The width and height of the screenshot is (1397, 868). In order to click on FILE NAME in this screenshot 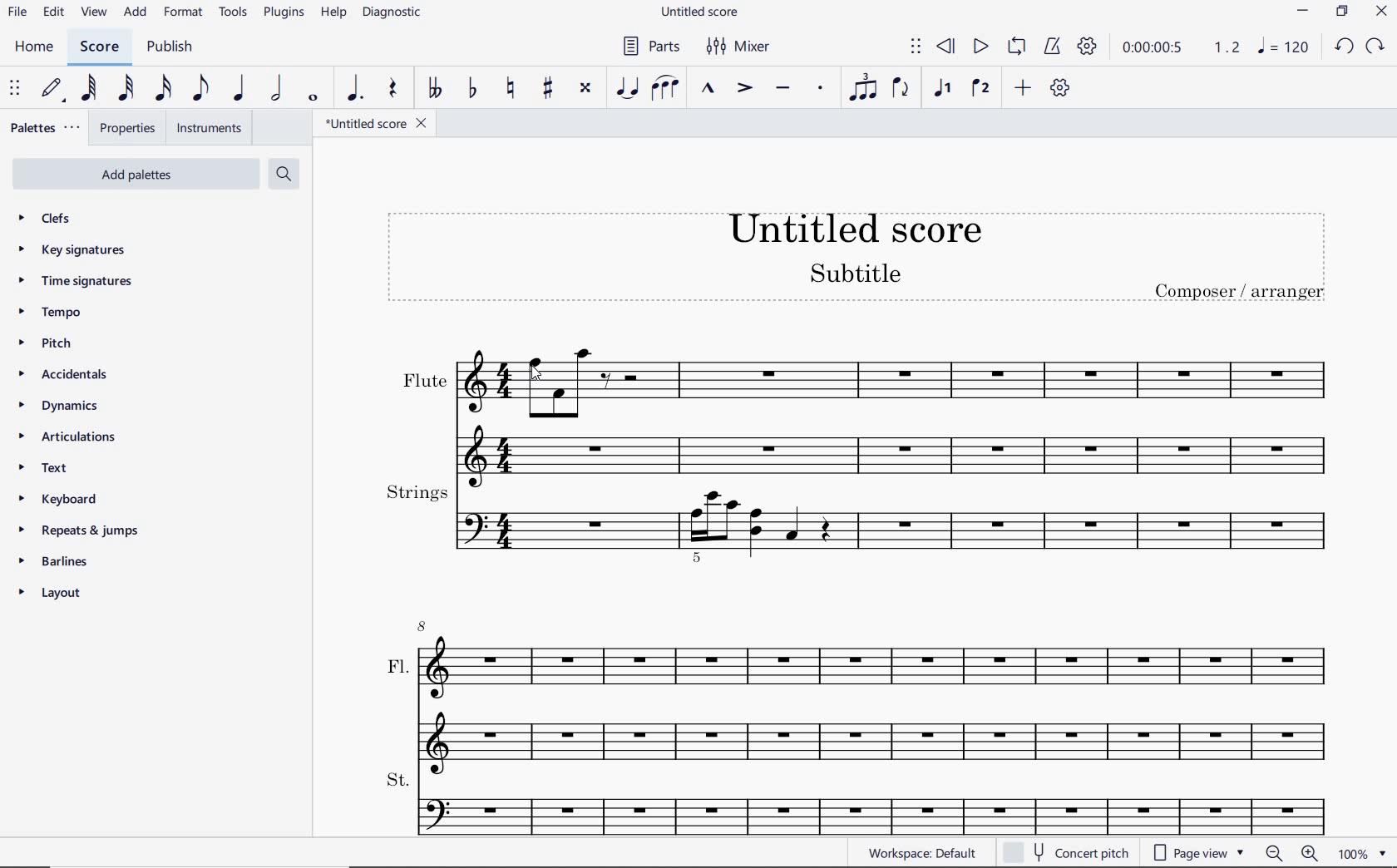, I will do `click(380, 123)`.